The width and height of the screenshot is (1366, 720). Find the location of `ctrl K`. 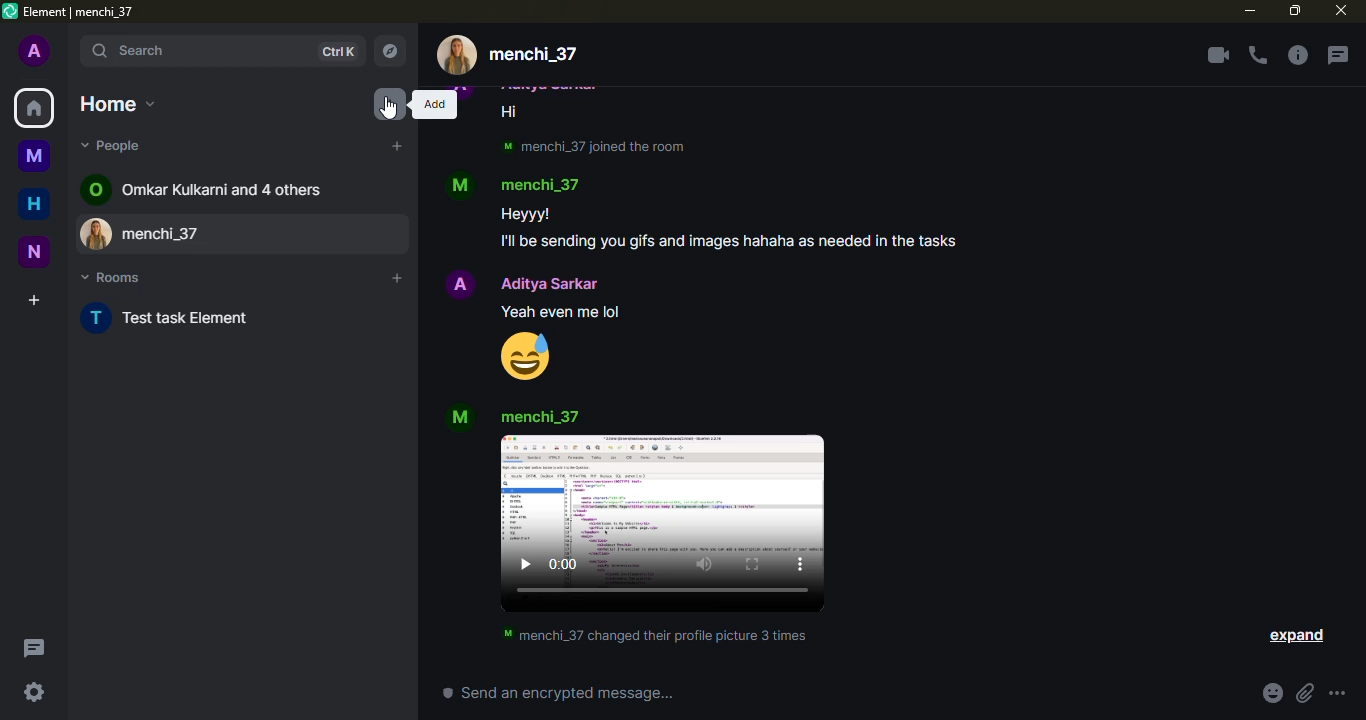

ctrl K is located at coordinates (337, 52).